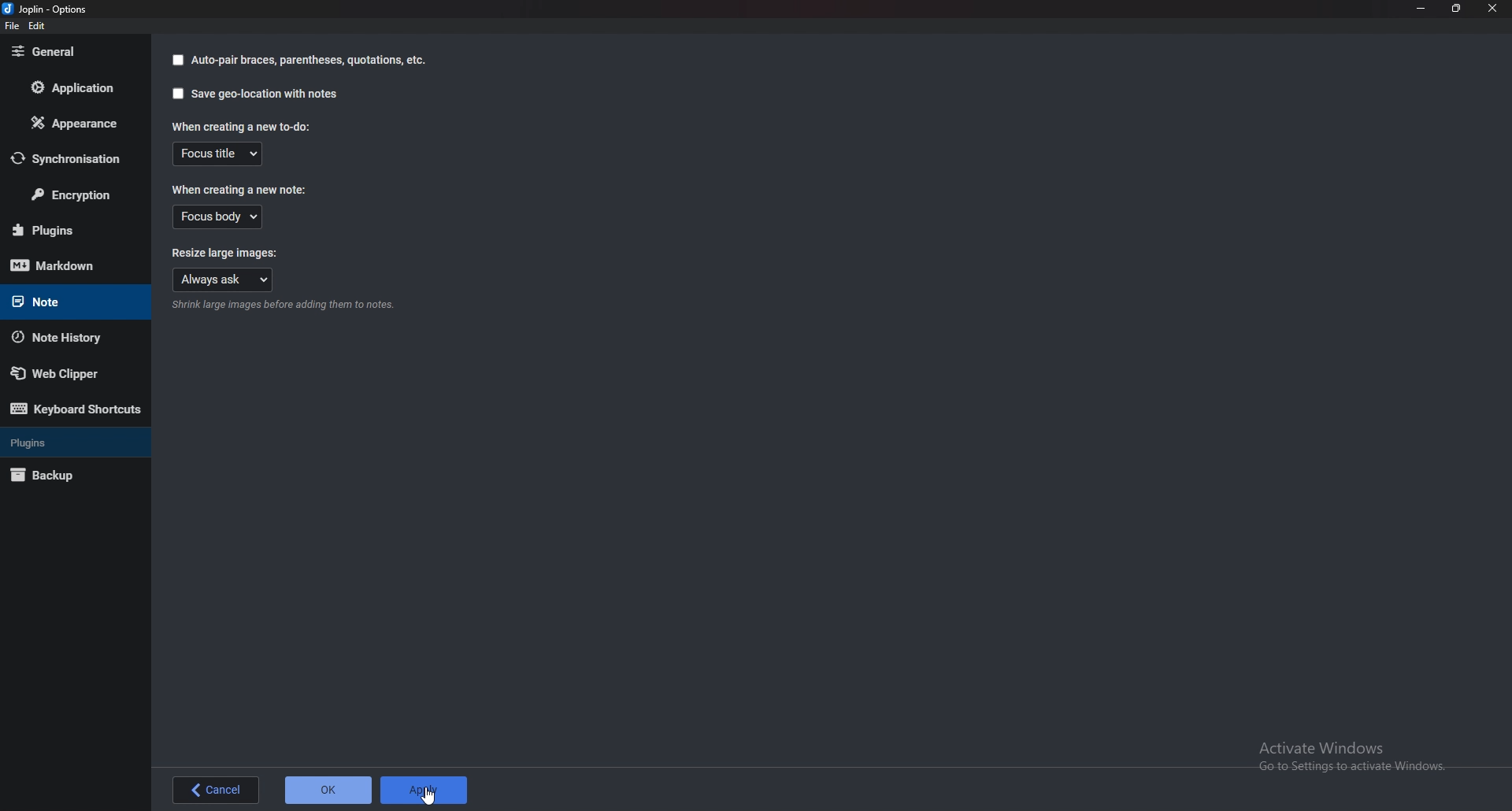  Describe the element at coordinates (1459, 9) in the screenshot. I see `Resize` at that location.